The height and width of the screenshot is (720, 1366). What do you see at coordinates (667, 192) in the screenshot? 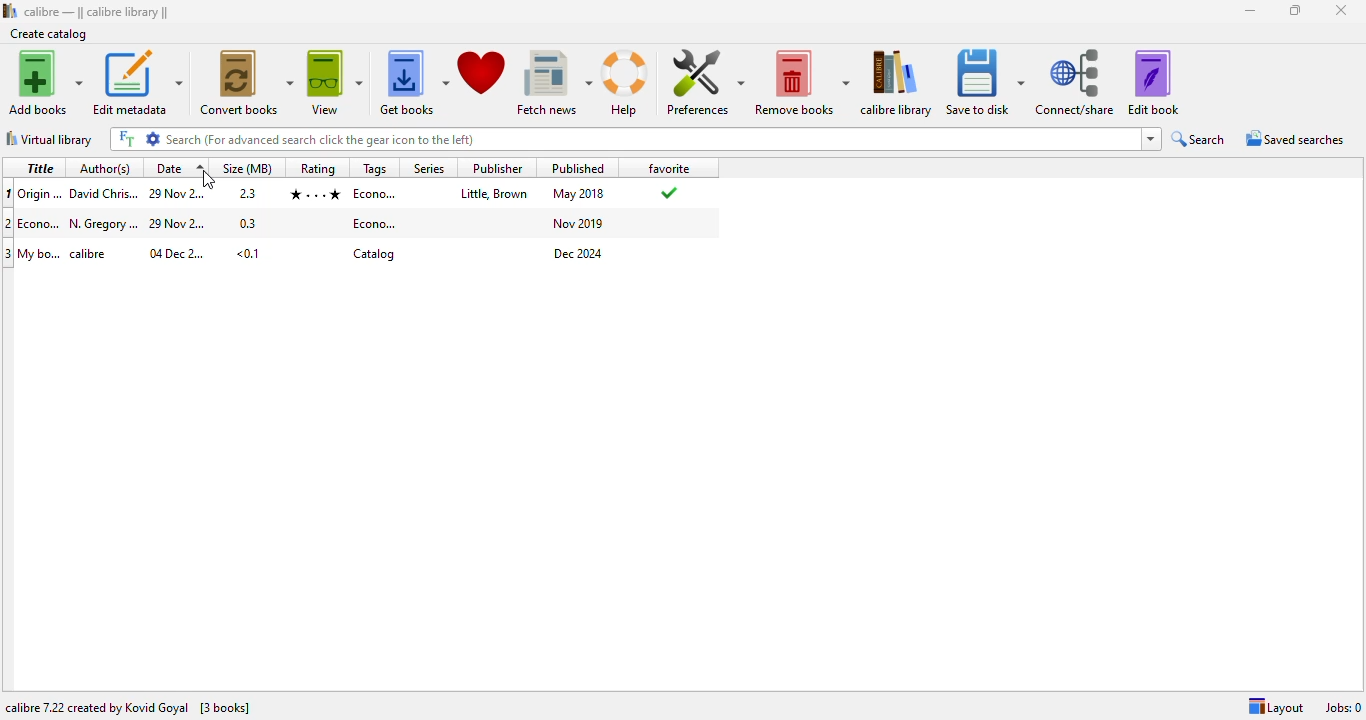
I see `added to favorites` at bounding box center [667, 192].